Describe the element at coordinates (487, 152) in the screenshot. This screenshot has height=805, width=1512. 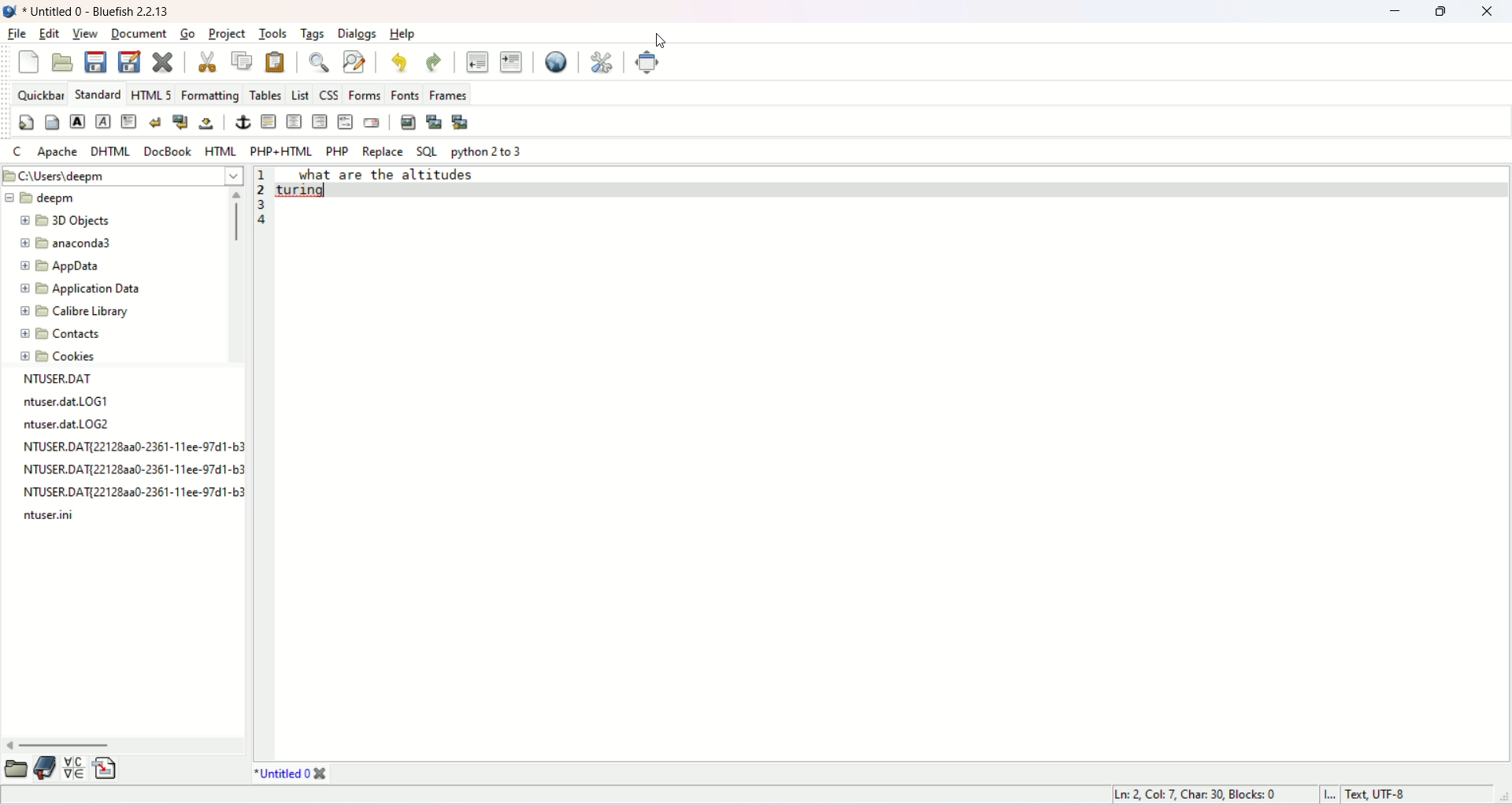
I see `python 2 to 3` at that location.